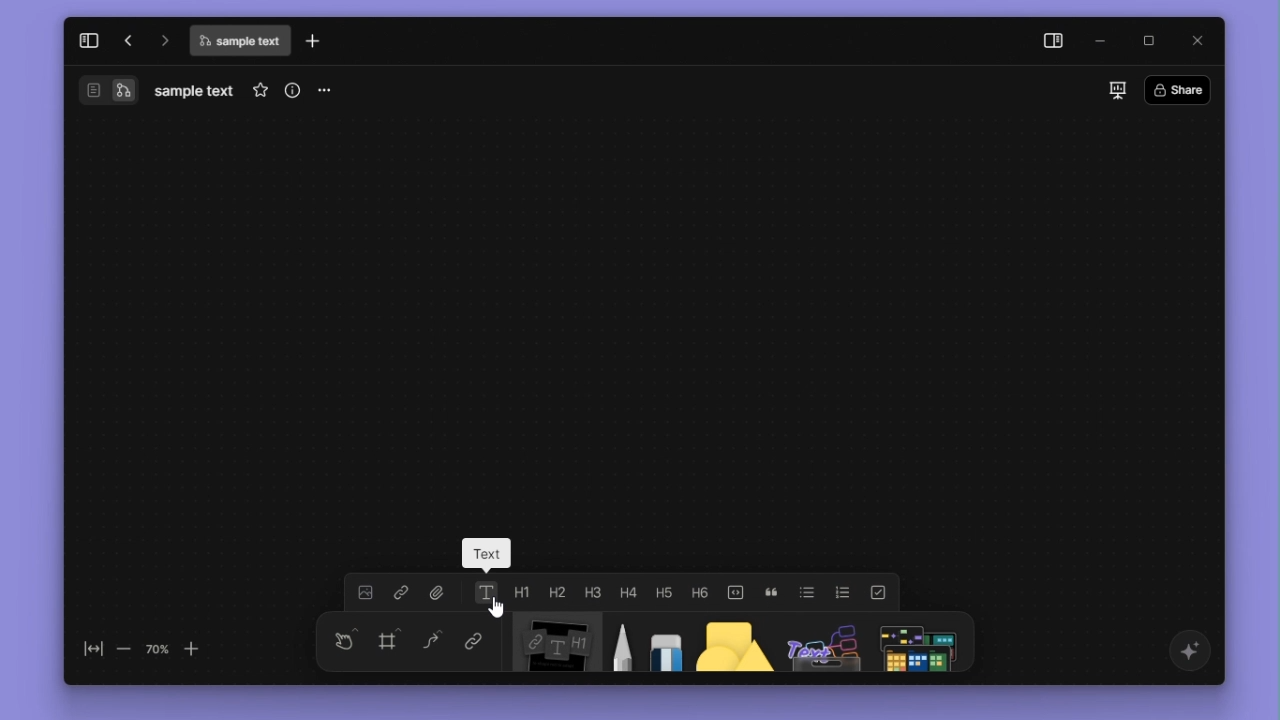  I want to click on side panel, so click(1050, 41).